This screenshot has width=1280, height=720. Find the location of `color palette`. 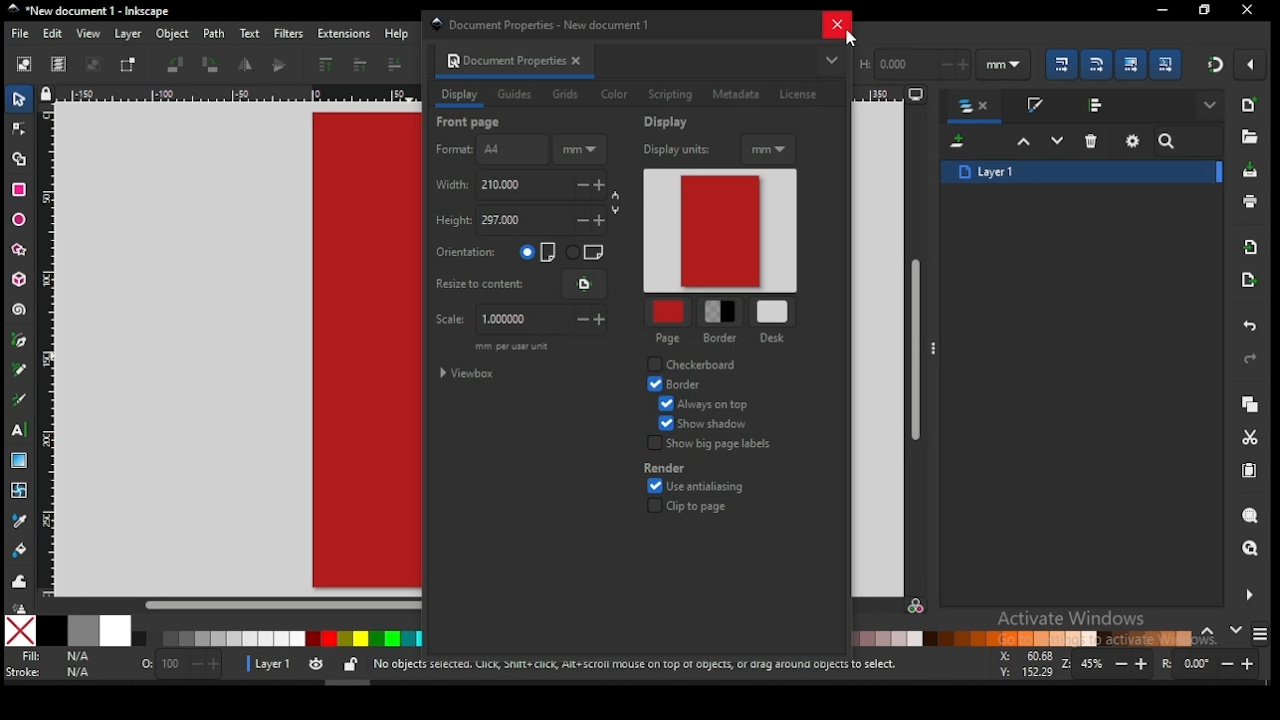

color palette is located at coordinates (277, 639).